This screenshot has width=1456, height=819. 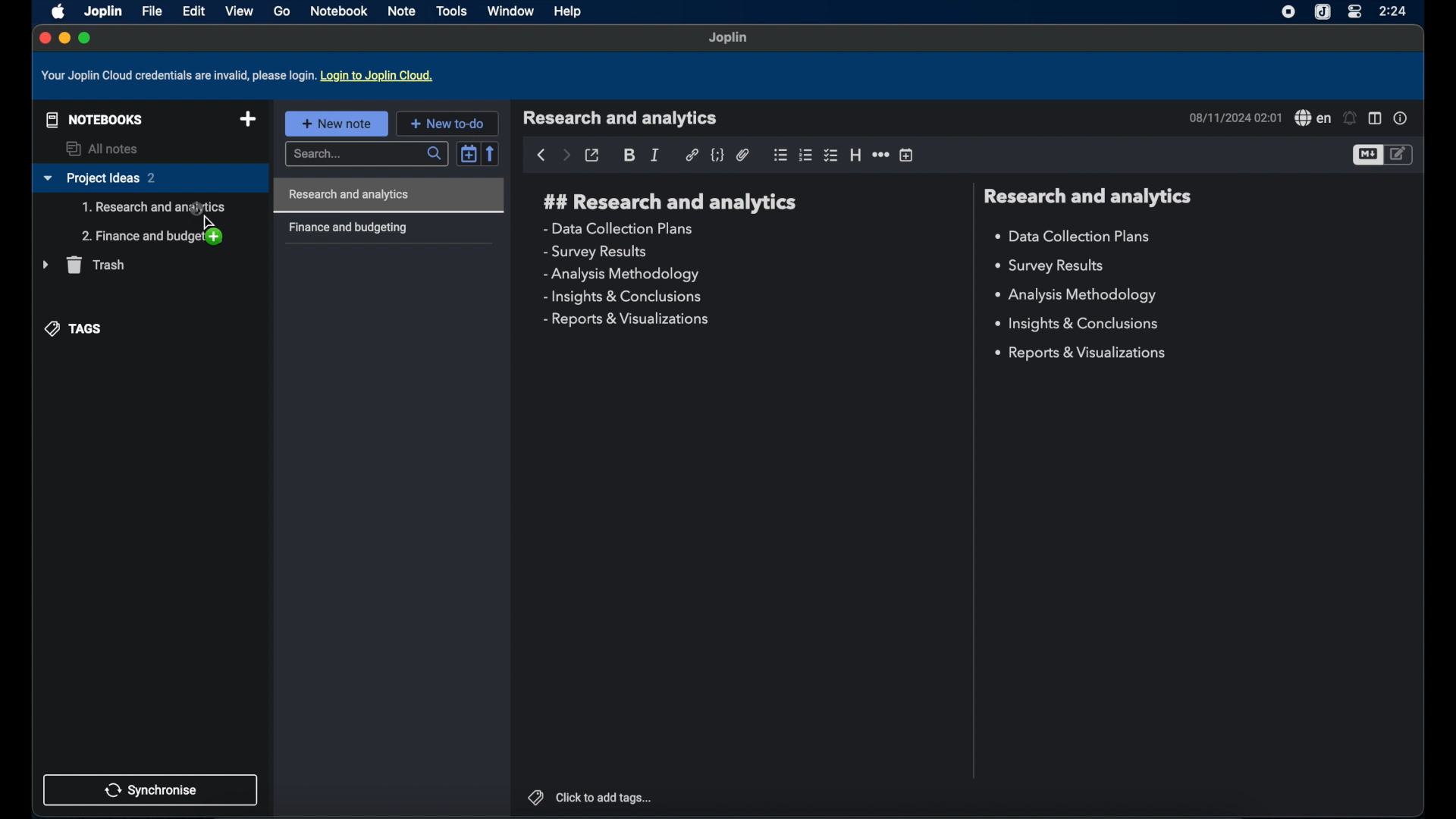 What do you see at coordinates (239, 11) in the screenshot?
I see `view` at bounding box center [239, 11].